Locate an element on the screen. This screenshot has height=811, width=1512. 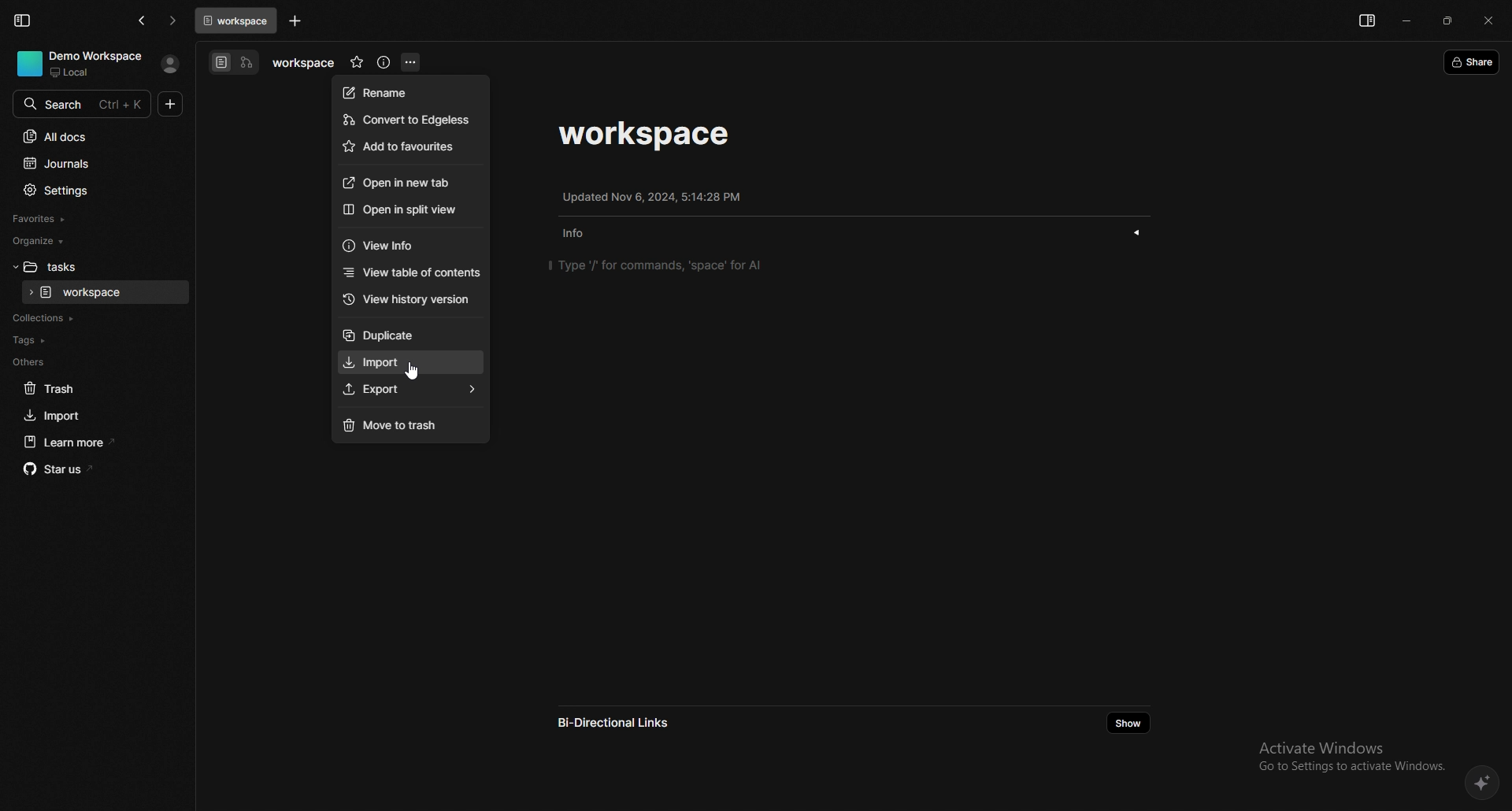
organize is located at coordinates (84, 241).